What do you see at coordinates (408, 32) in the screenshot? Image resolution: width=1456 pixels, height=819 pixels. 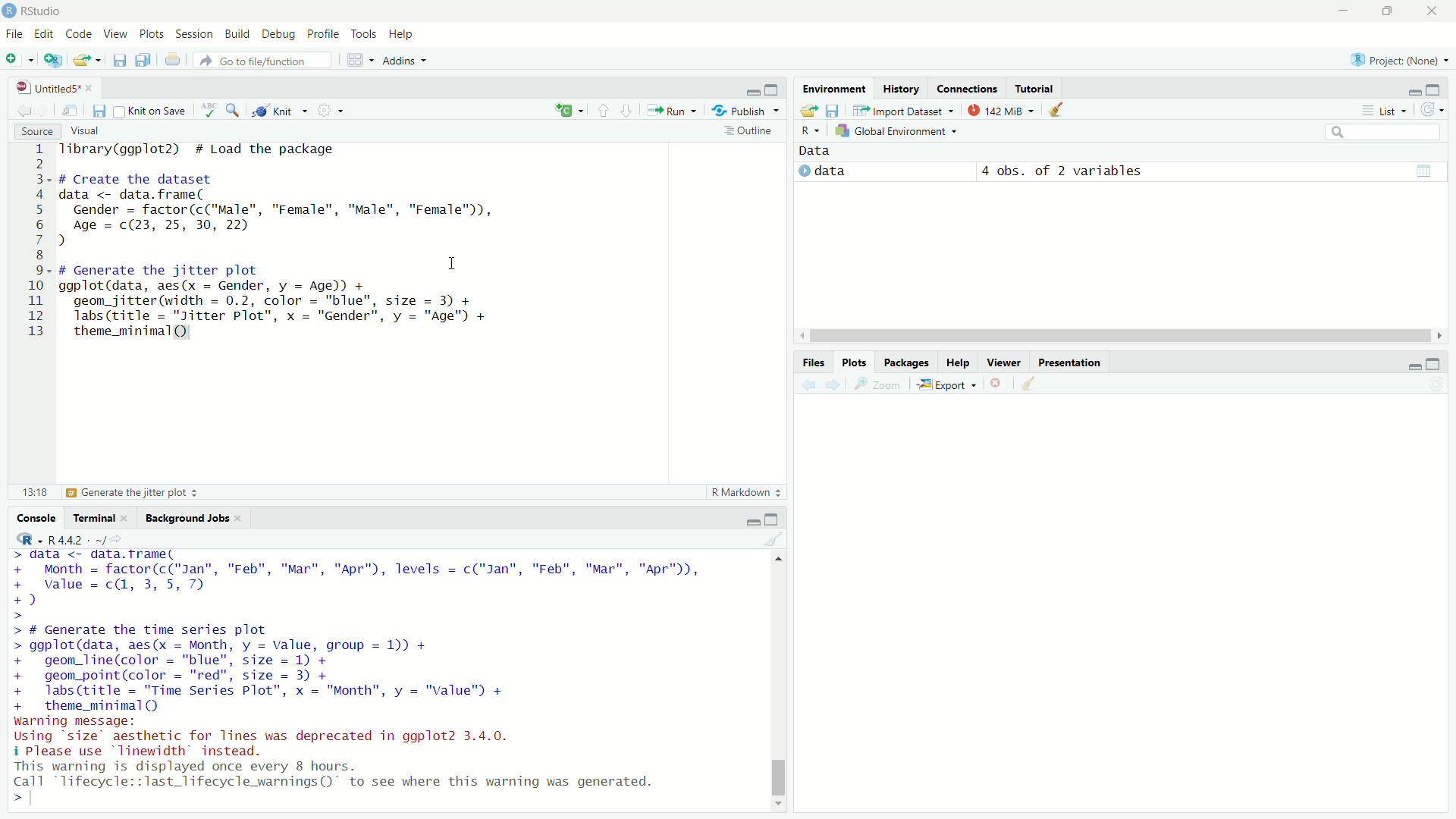 I see `help` at bounding box center [408, 32].